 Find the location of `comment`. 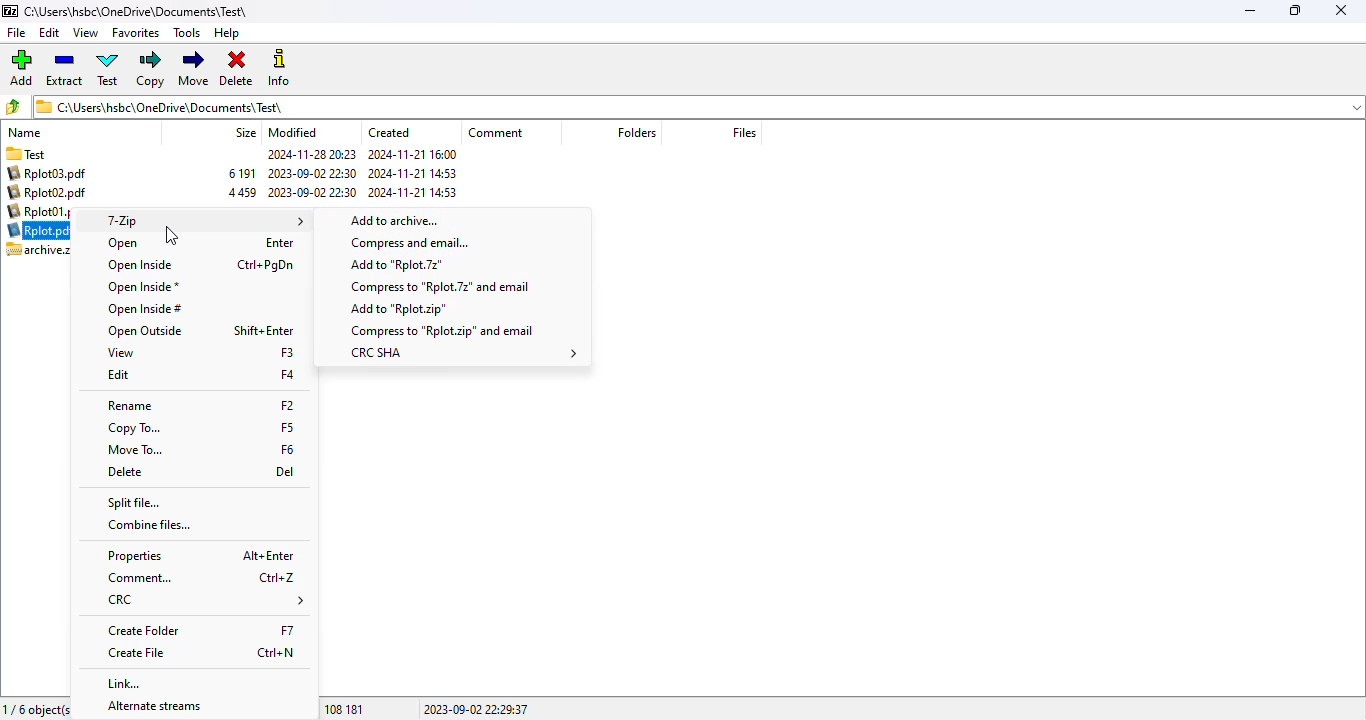

comment is located at coordinates (143, 579).